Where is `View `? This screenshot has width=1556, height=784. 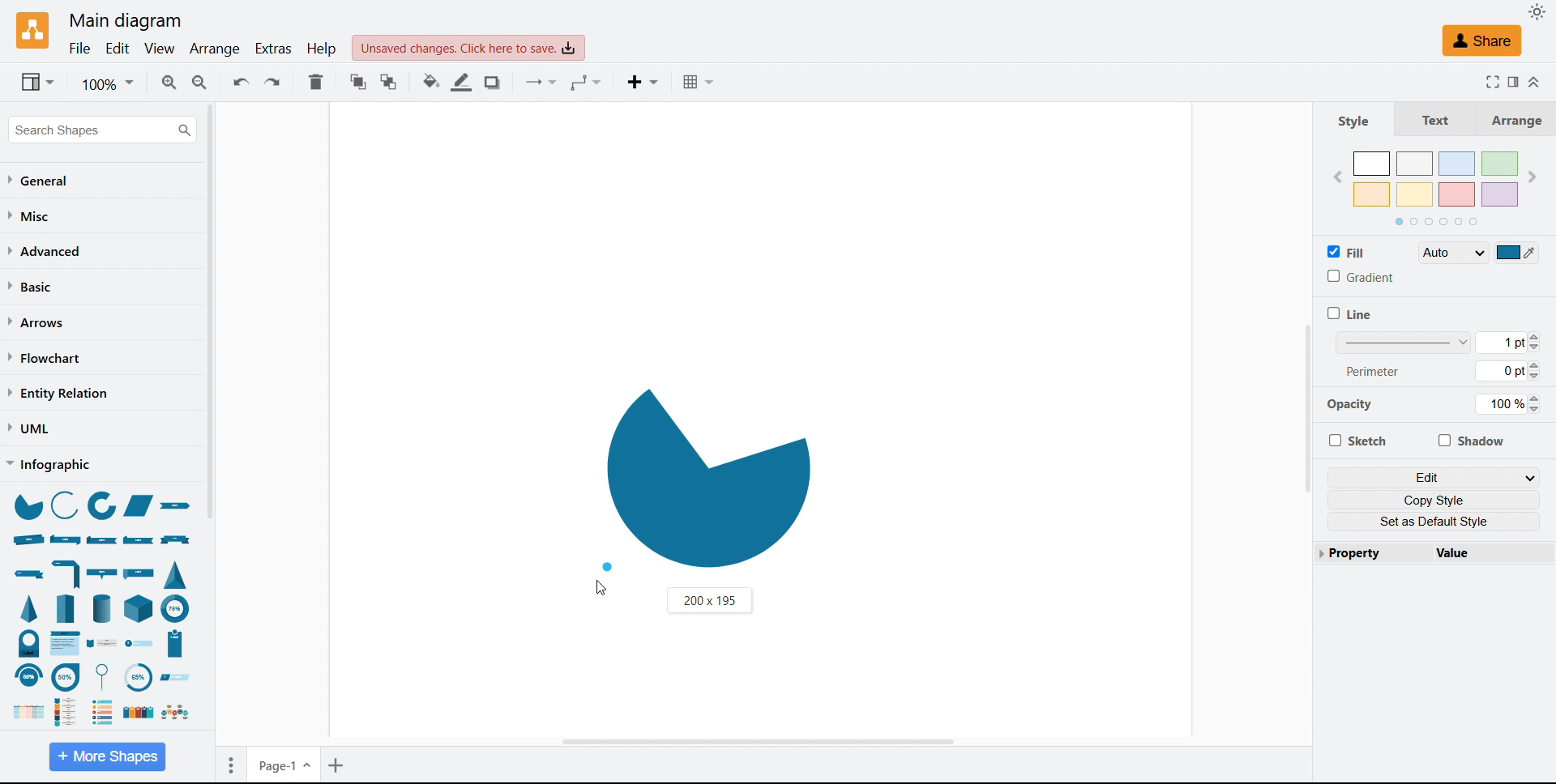 View  is located at coordinates (160, 49).